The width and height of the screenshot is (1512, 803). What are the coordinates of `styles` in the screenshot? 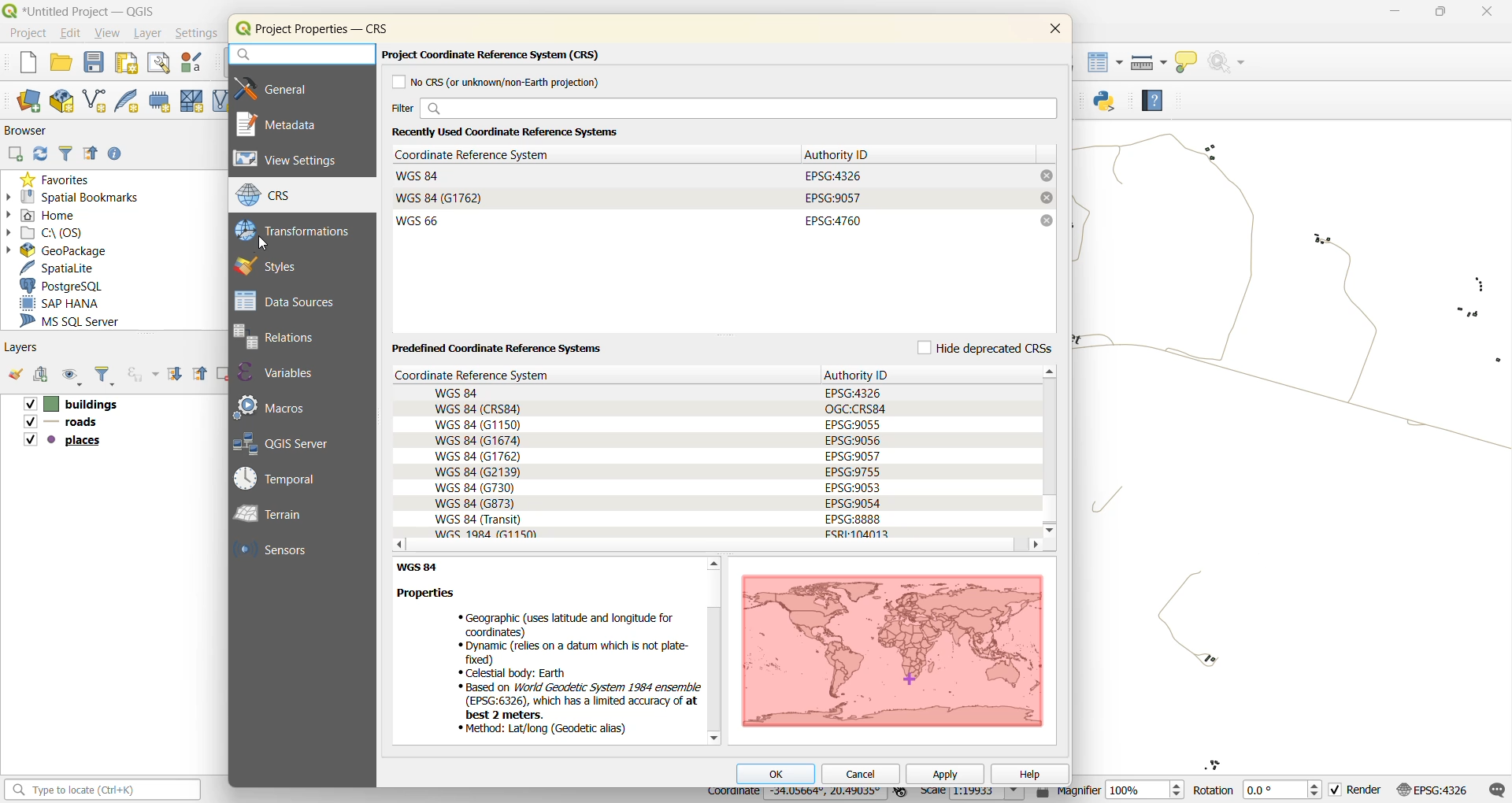 It's located at (277, 265).